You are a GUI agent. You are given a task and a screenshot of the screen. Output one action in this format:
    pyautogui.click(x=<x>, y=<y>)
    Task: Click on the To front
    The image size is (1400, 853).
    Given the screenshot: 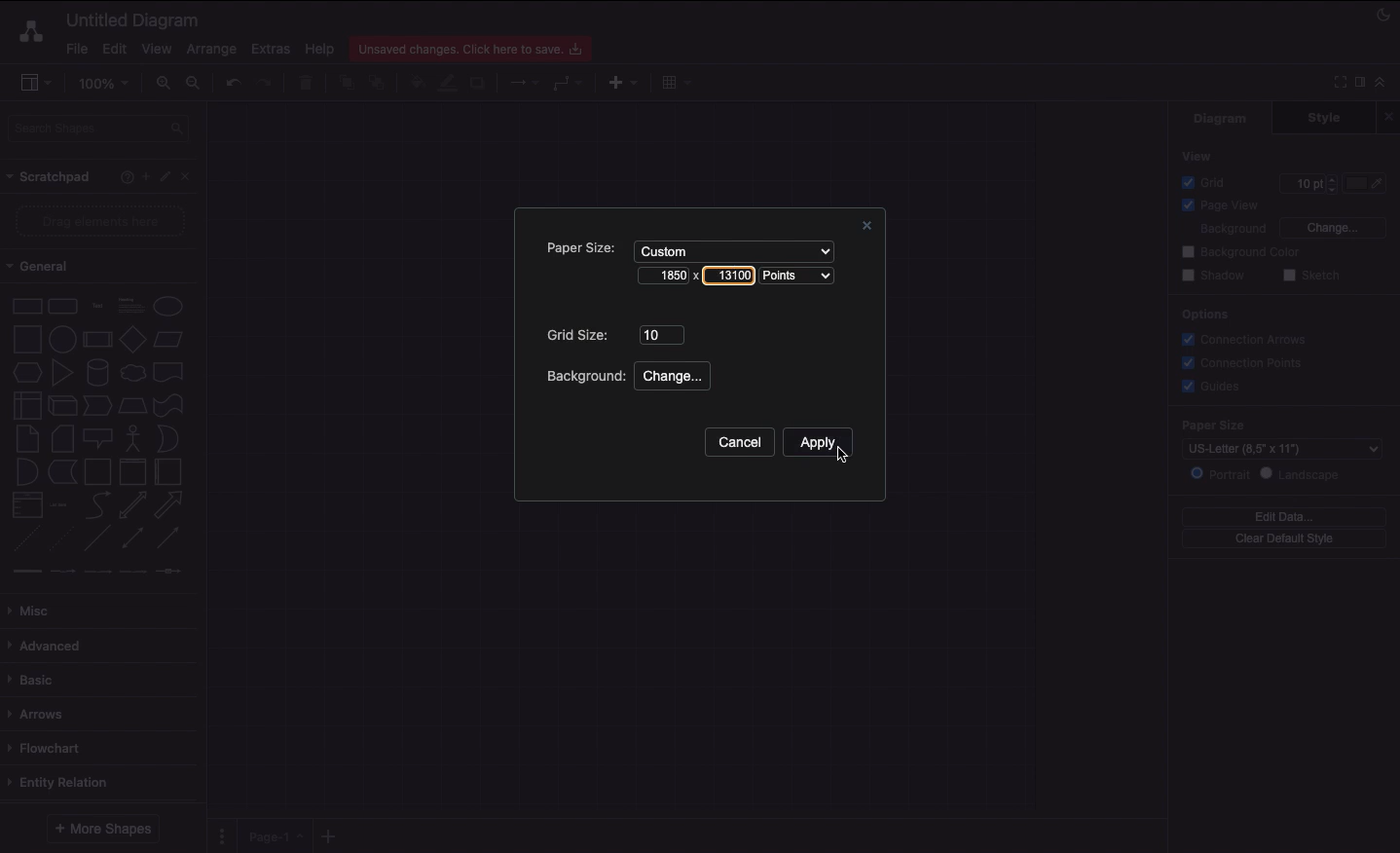 What is the action you would take?
    pyautogui.click(x=346, y=83)
    